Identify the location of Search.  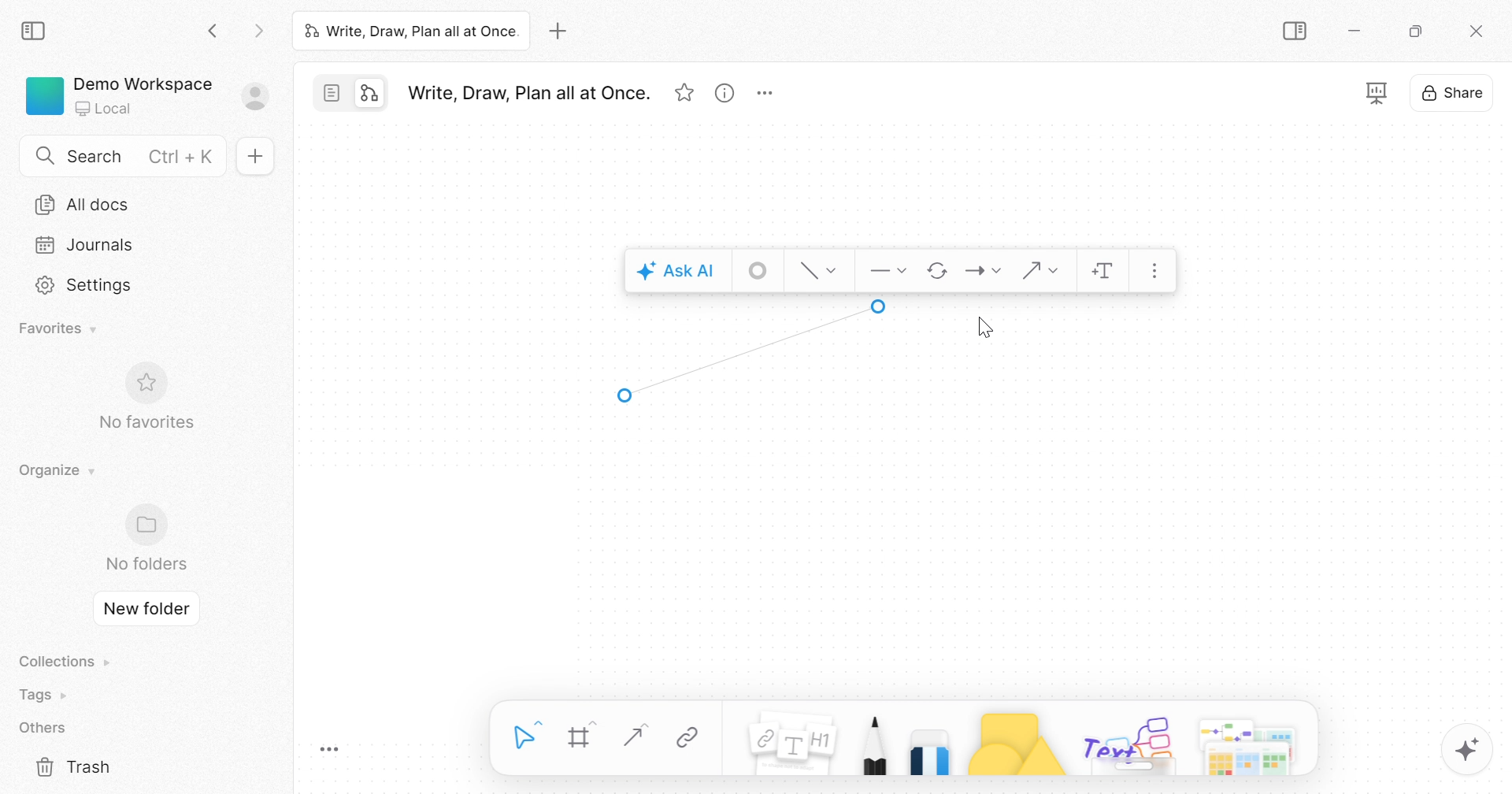
(94, 156).